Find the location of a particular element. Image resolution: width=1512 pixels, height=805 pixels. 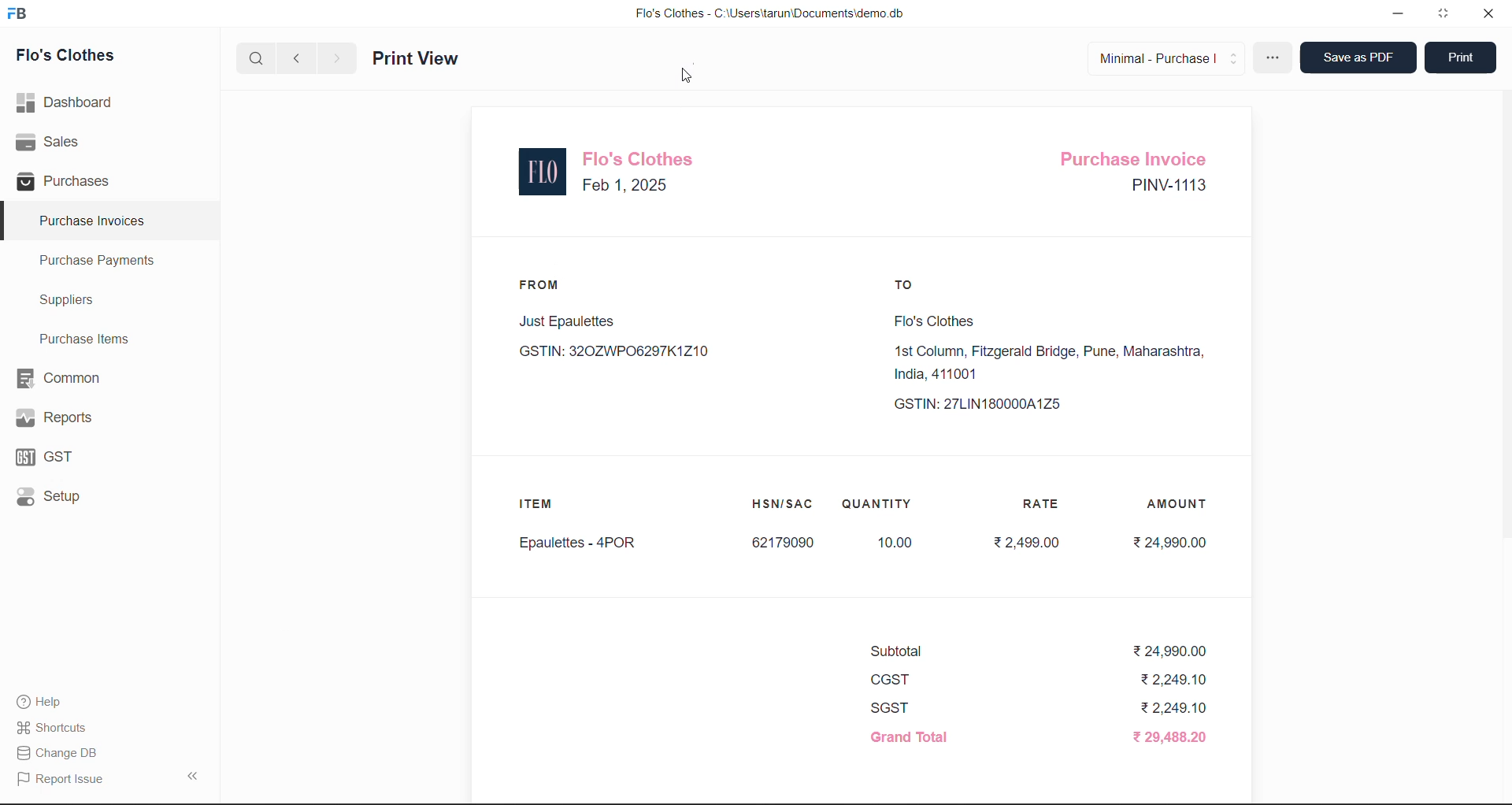

minimize is located at coordinates (1402, 13).